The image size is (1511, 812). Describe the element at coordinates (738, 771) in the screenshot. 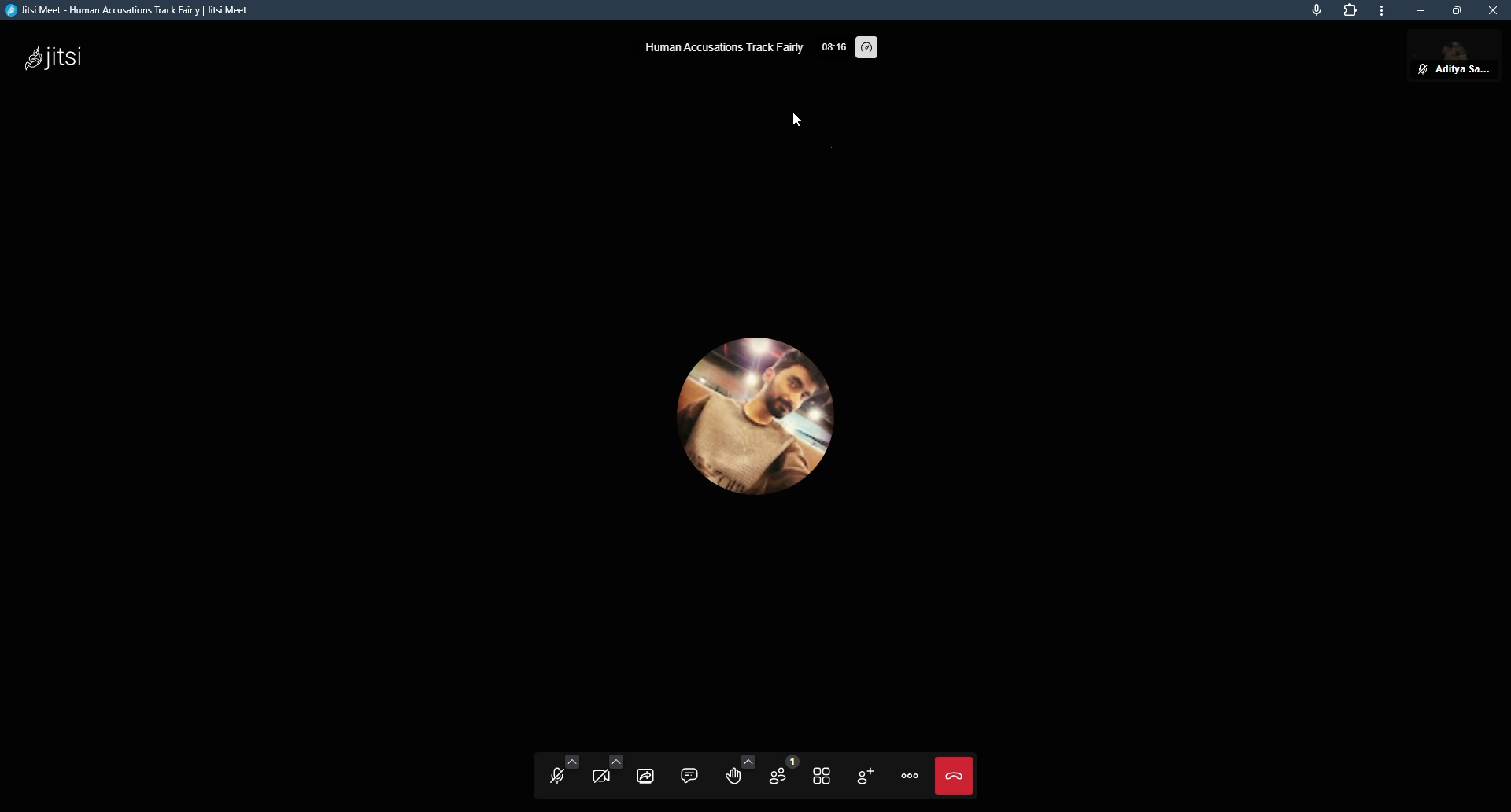

I see `reactions` at that location.